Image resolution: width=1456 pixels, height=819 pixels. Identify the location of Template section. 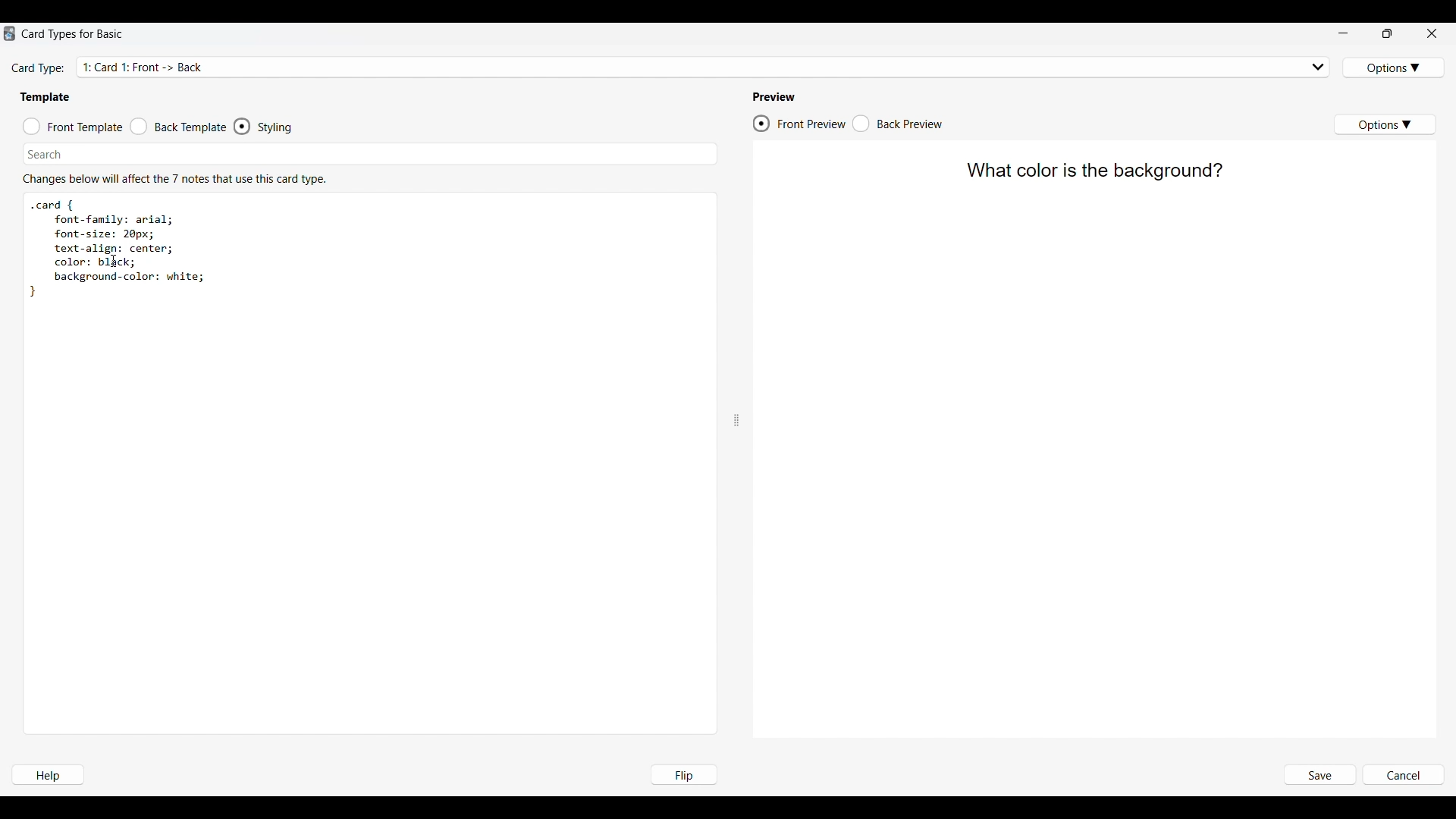
(45, 97).